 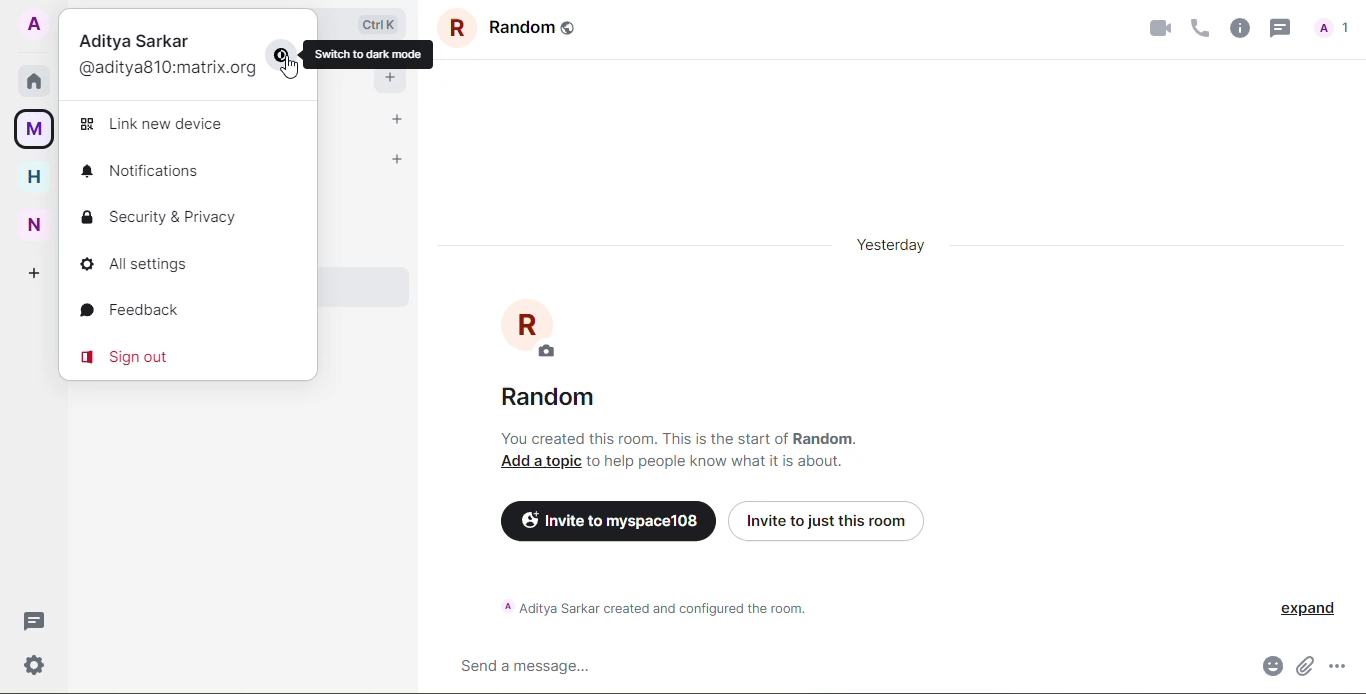 What do you see at coordinates (1308, 665) in the screenshot?
I see `attach` at bounding box center [1308, 665].